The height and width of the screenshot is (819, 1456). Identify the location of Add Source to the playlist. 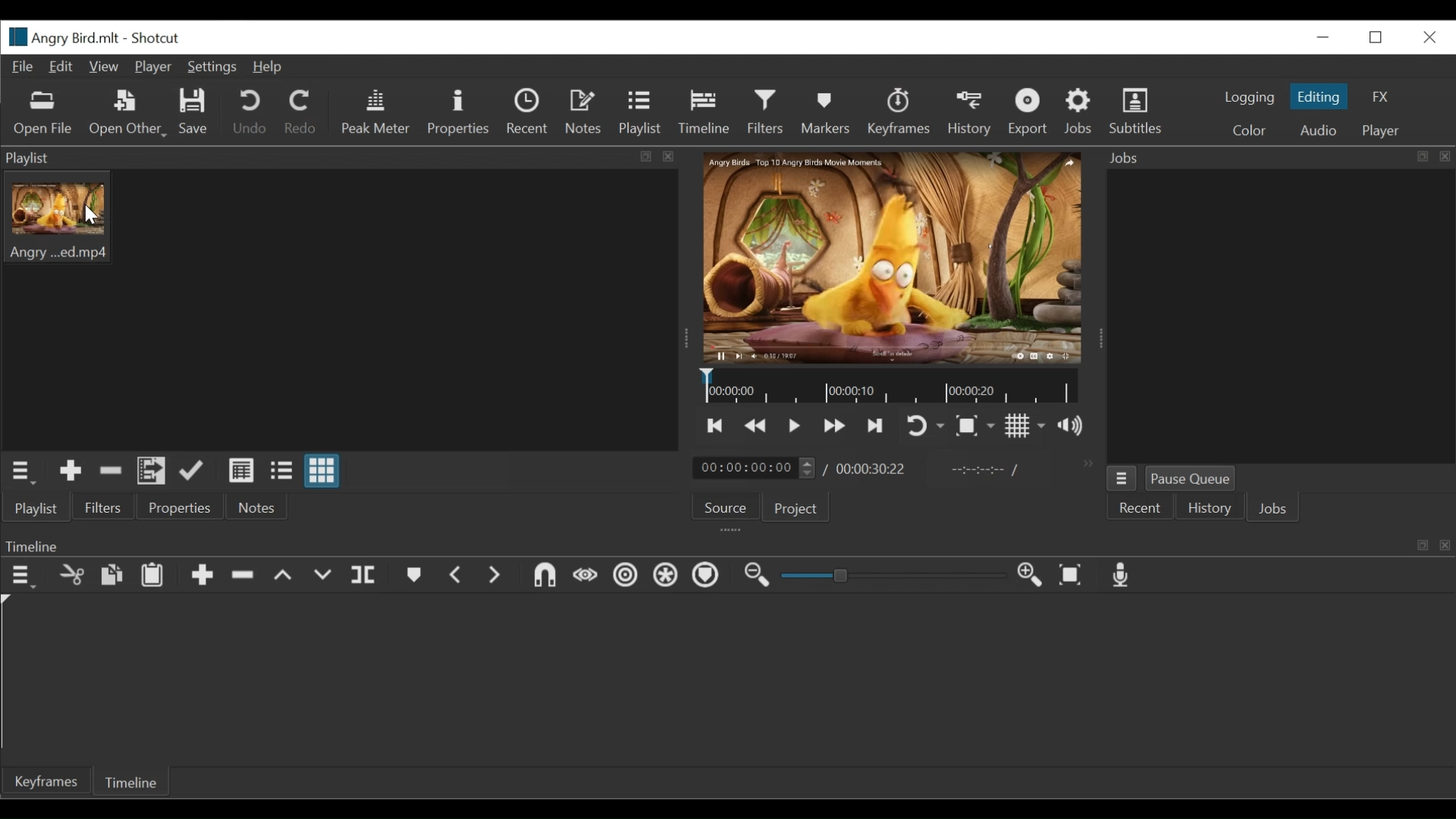
(71, 471).